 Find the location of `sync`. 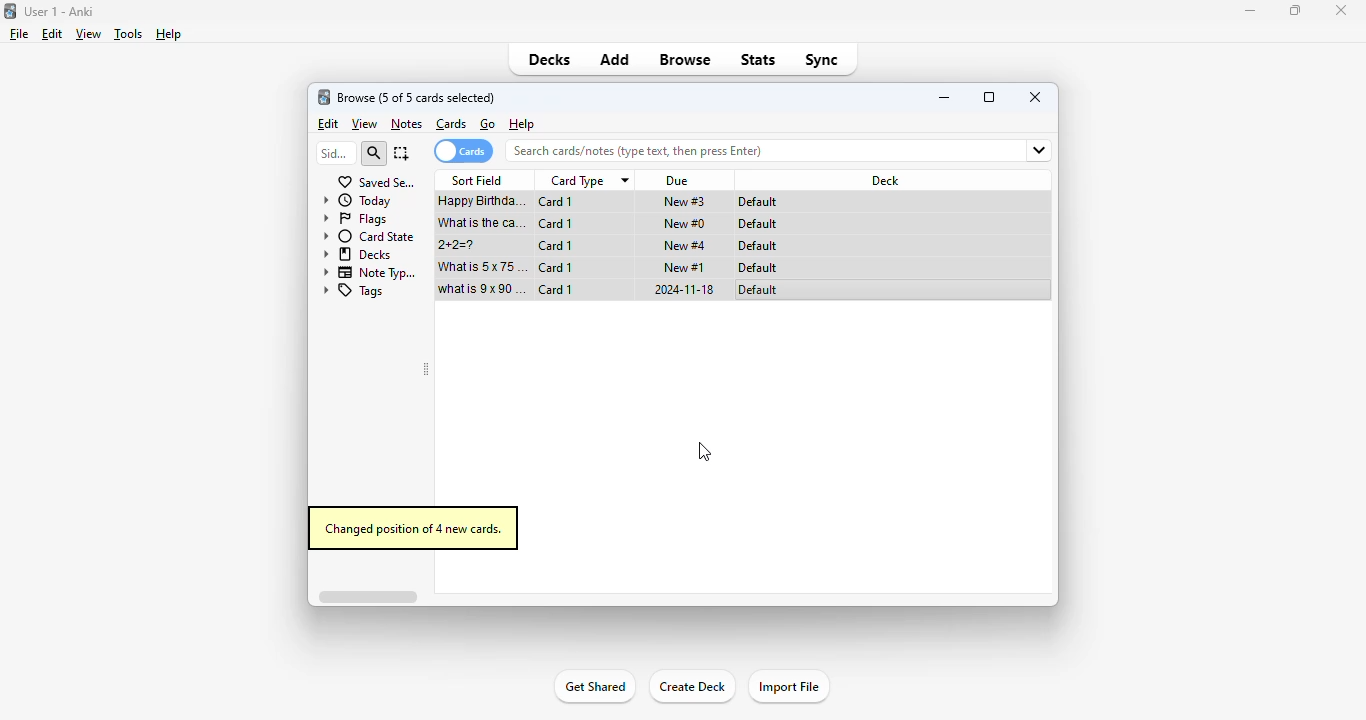

sync is located at coordinates (823, 60).